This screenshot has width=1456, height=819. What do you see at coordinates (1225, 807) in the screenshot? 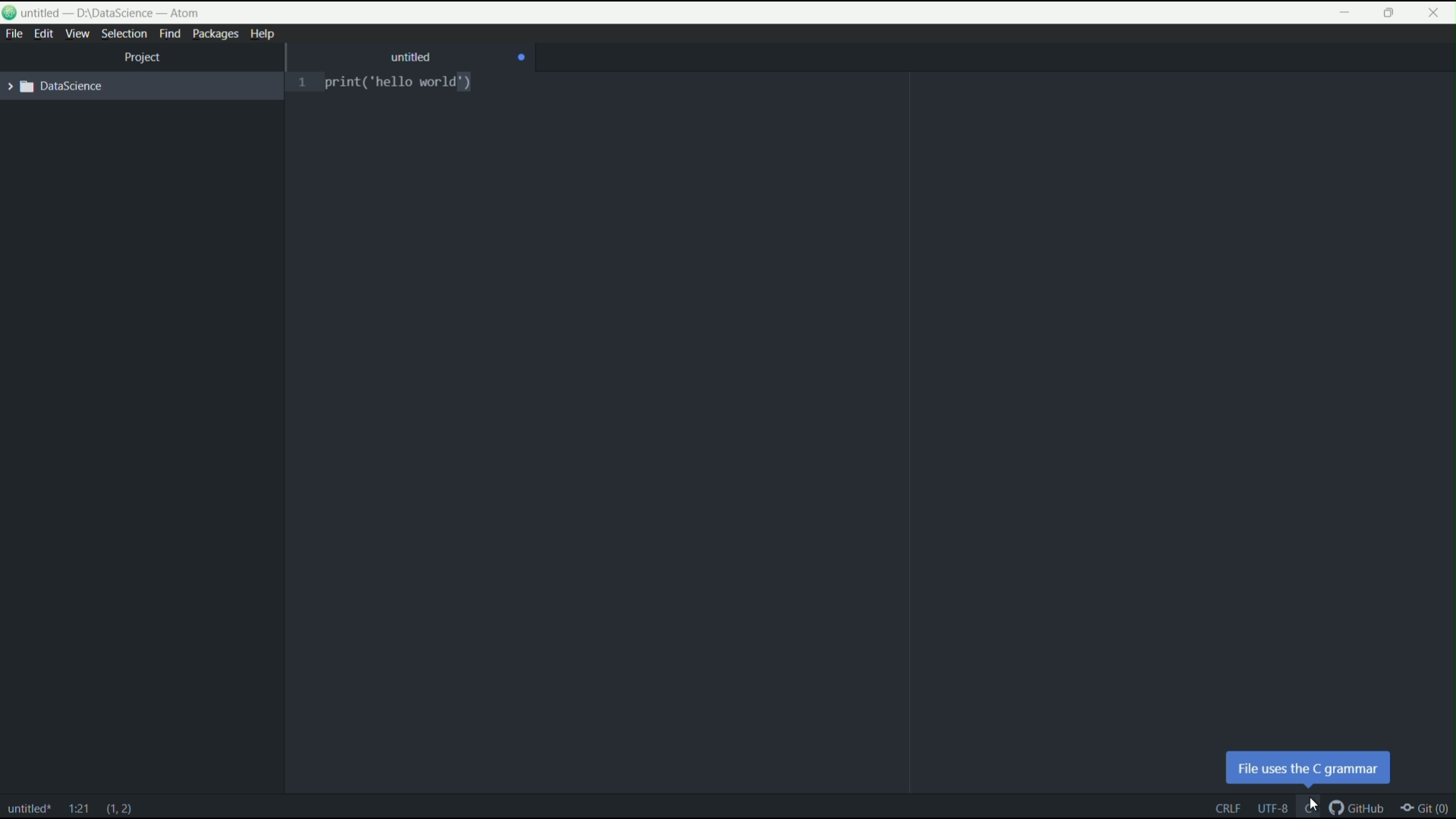
I see `end line of code sequence` at bounding box center [1225, 807].